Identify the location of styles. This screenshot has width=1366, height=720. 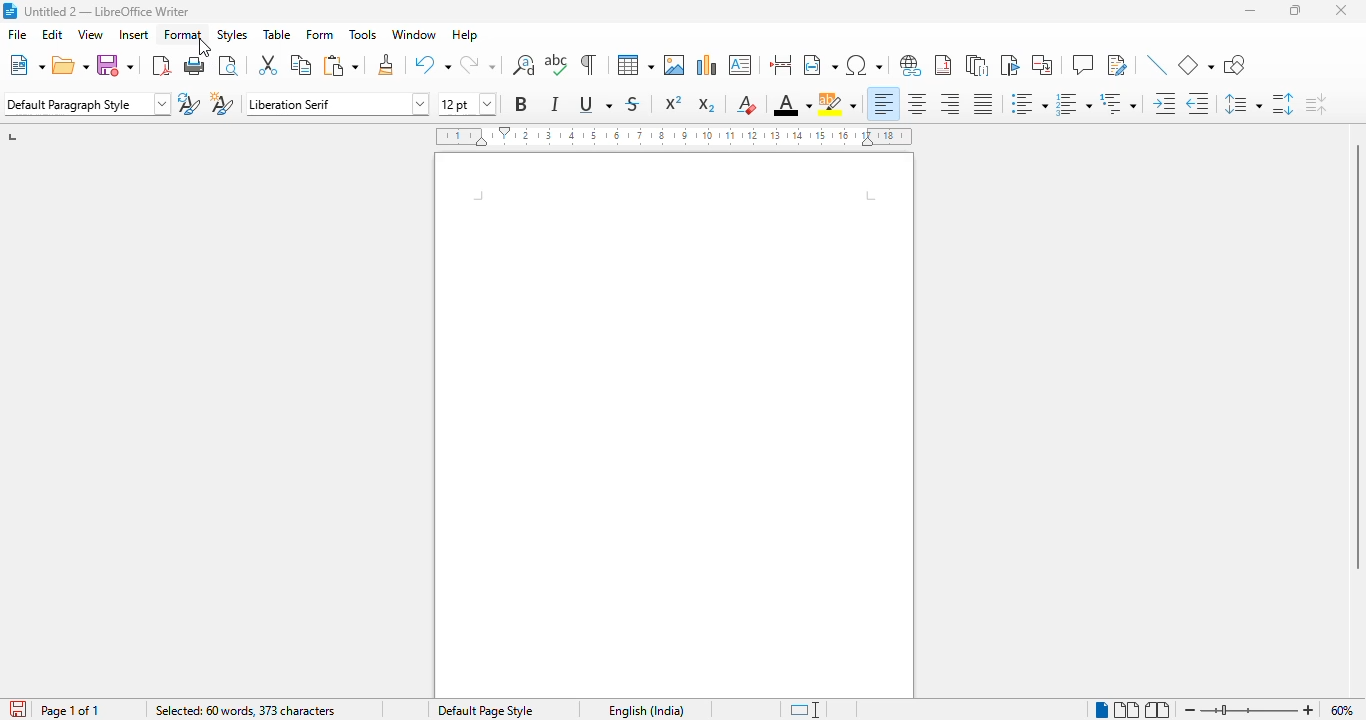
(232, 34).